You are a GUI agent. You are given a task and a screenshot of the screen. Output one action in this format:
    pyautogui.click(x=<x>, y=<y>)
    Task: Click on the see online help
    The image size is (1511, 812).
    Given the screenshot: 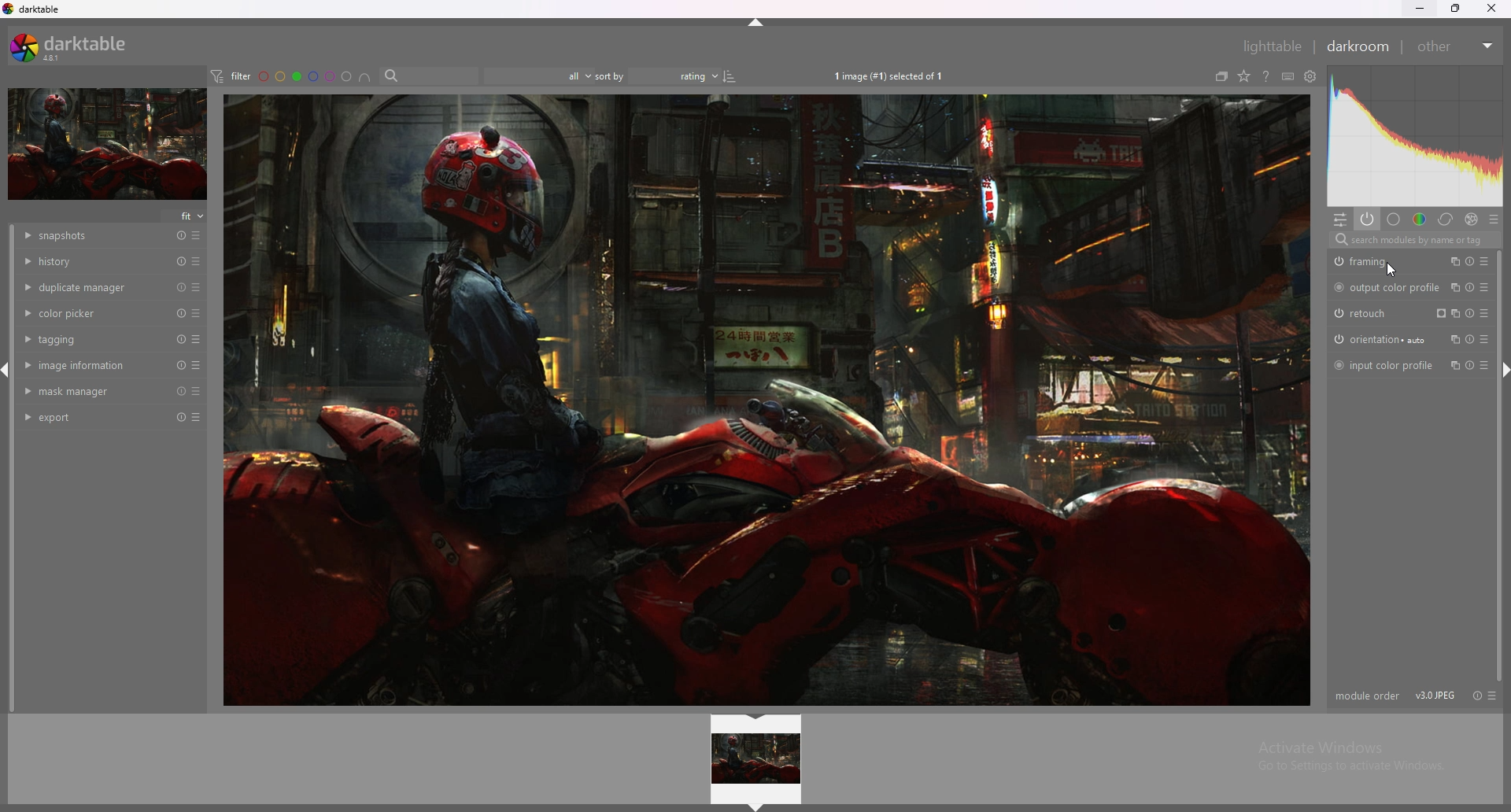 What is the action you would take?
    pyautogui.click(x=1266, y=76)
    